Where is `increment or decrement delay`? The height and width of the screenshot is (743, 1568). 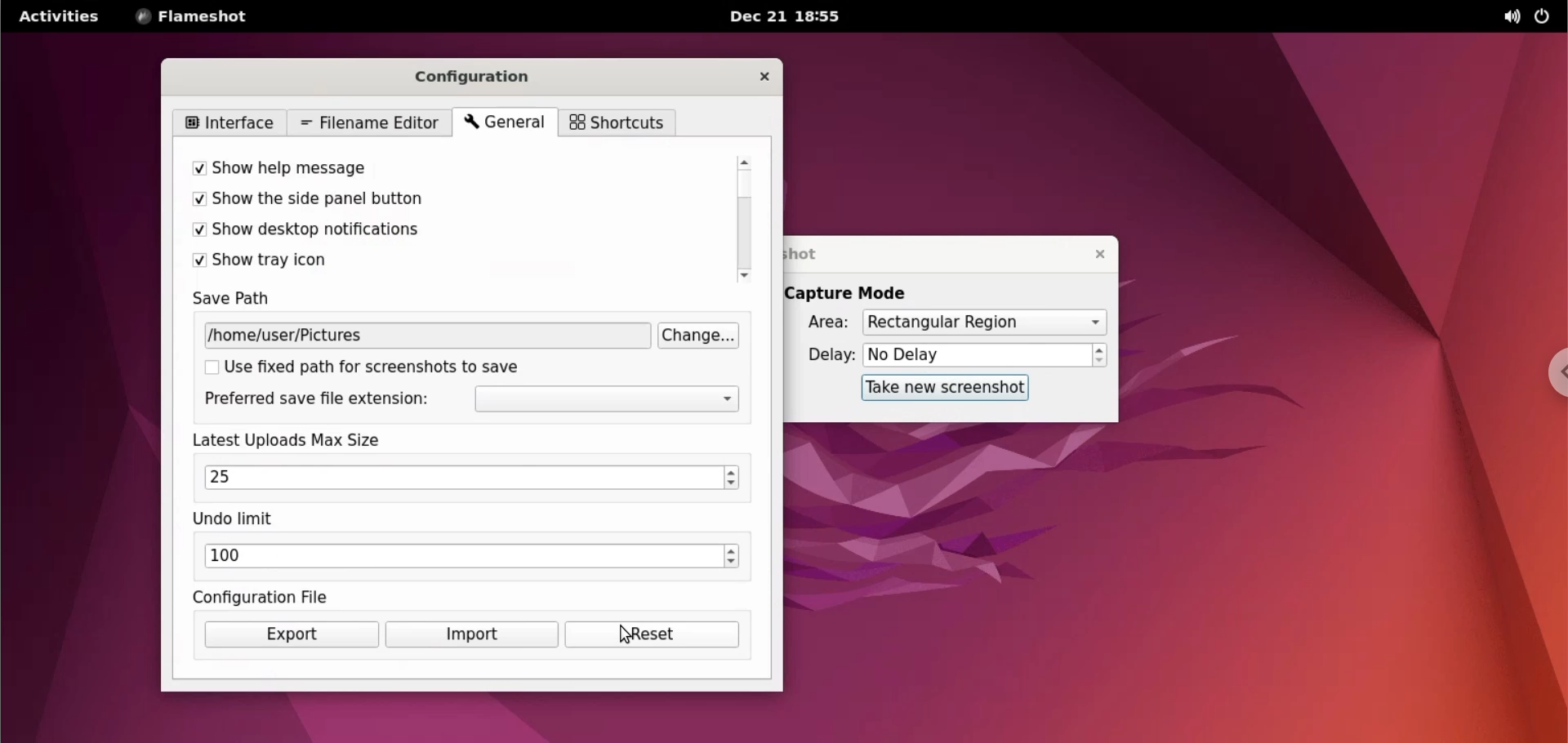
increment or decrement delay is located at coordinates (1100, 356).